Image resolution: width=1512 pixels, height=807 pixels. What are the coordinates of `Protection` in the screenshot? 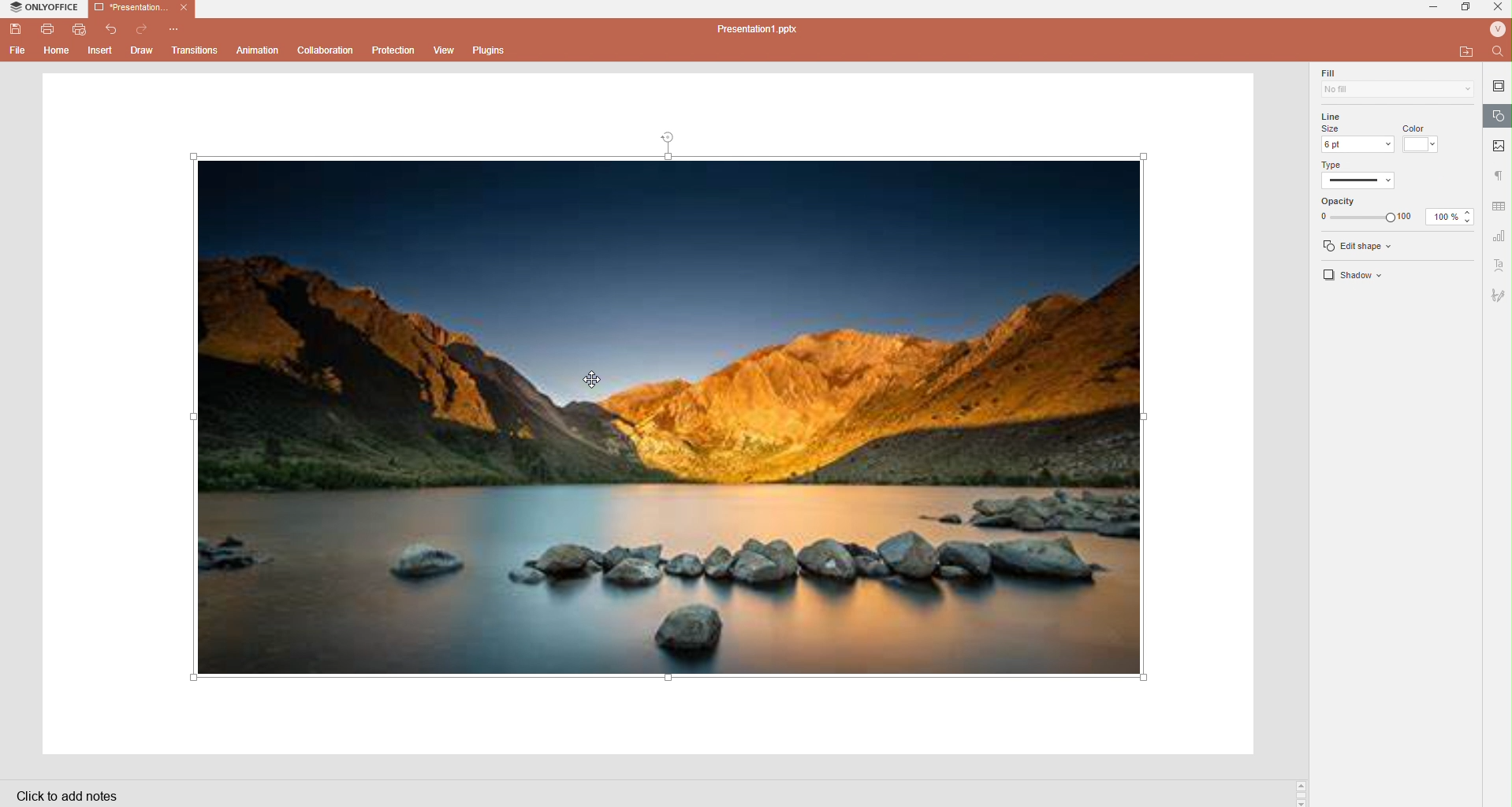 It's located at (396, 50).